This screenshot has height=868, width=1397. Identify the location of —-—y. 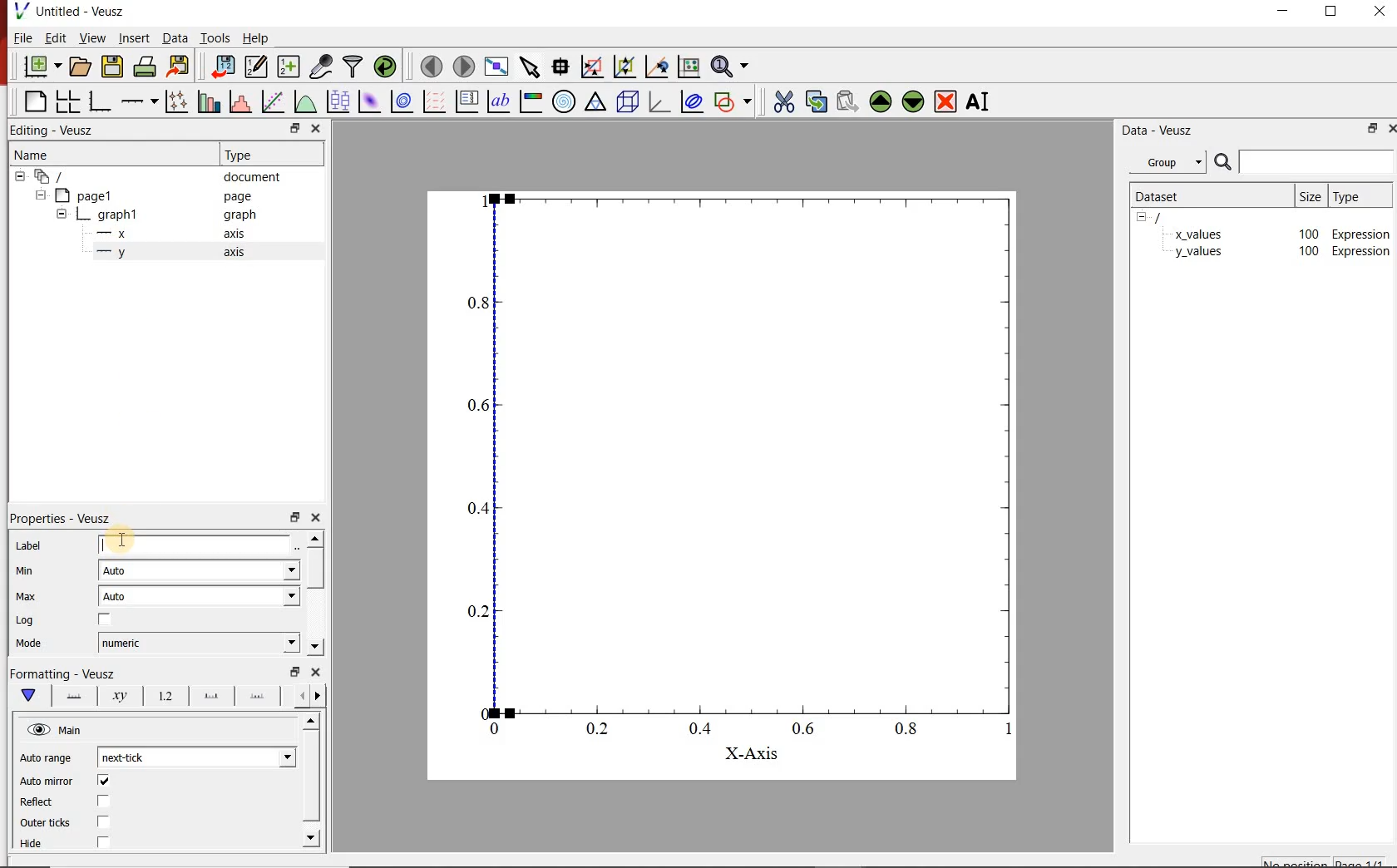
(111, 253).